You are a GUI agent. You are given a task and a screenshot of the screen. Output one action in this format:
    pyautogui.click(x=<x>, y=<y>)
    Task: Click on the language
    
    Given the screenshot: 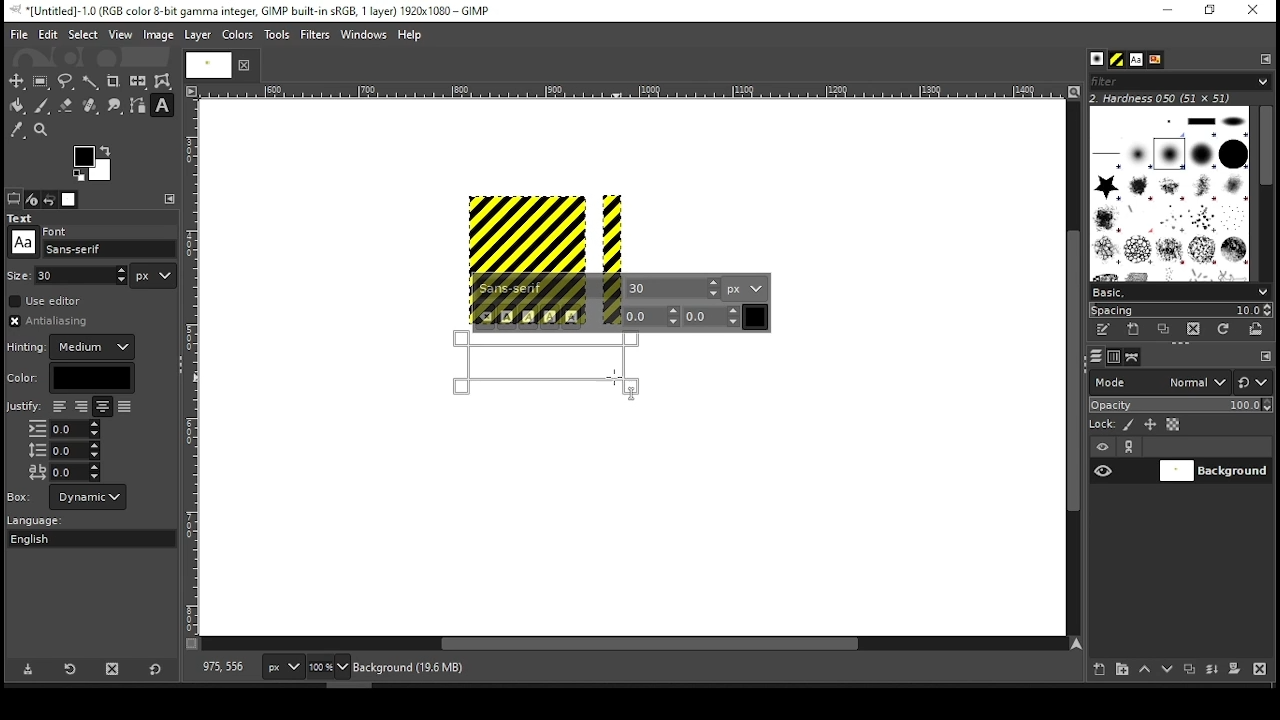 What is the action you would take?
    pyautogui.click(x=44, y=521)
    